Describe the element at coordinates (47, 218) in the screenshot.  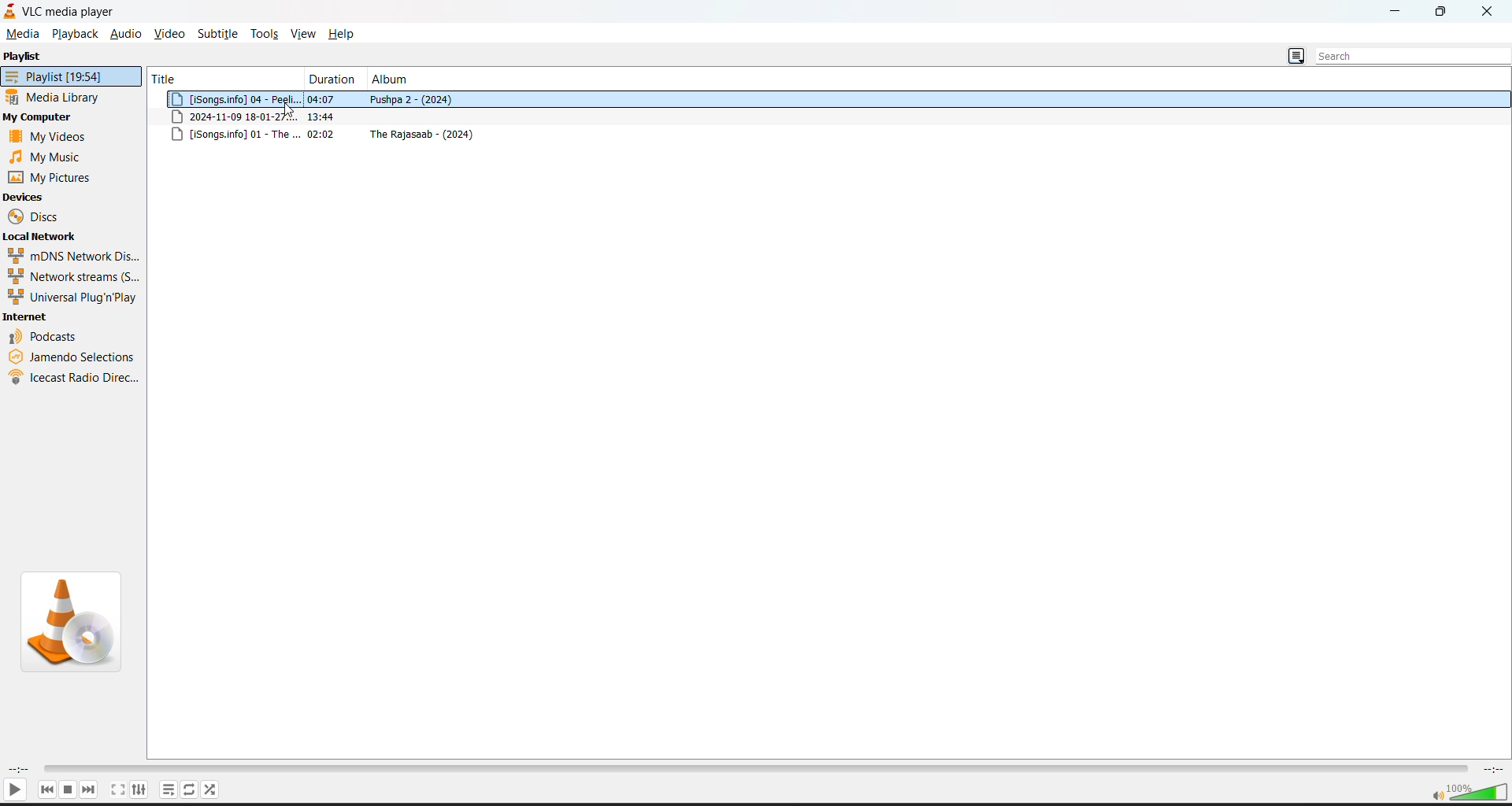
I see `discs` at that location.